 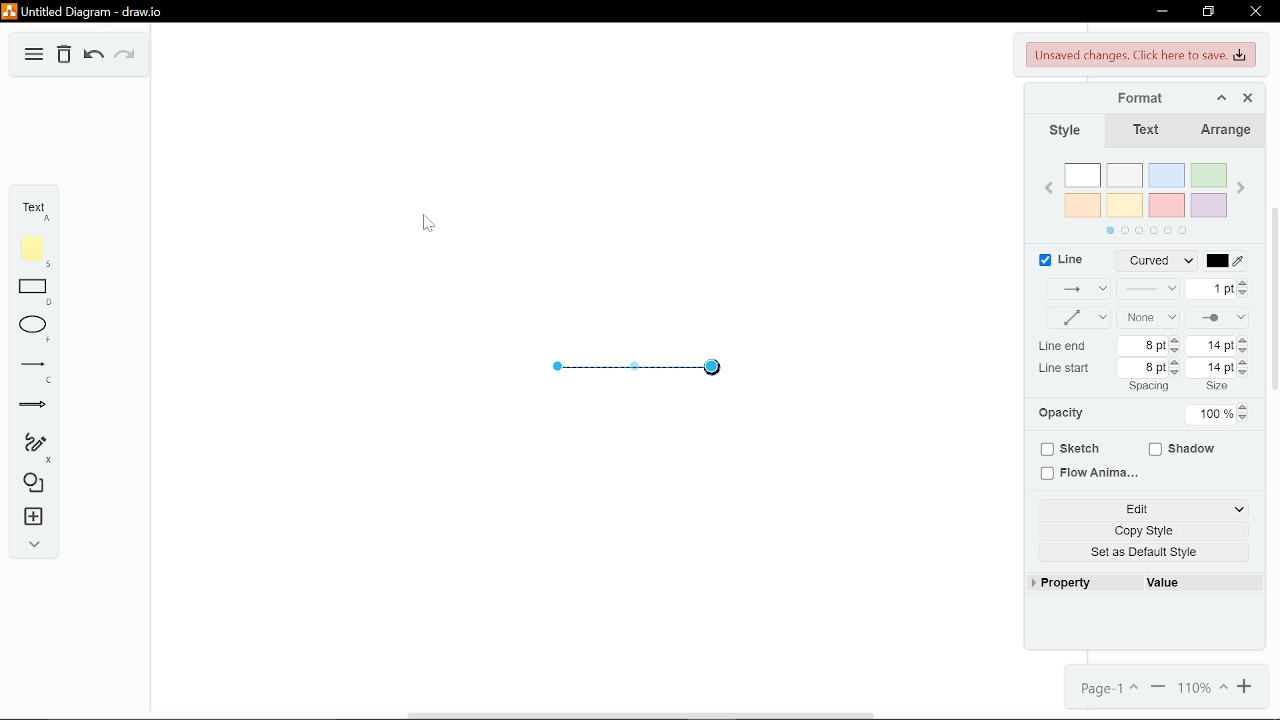 I want to click on Value, so click(x=1198, y=584).